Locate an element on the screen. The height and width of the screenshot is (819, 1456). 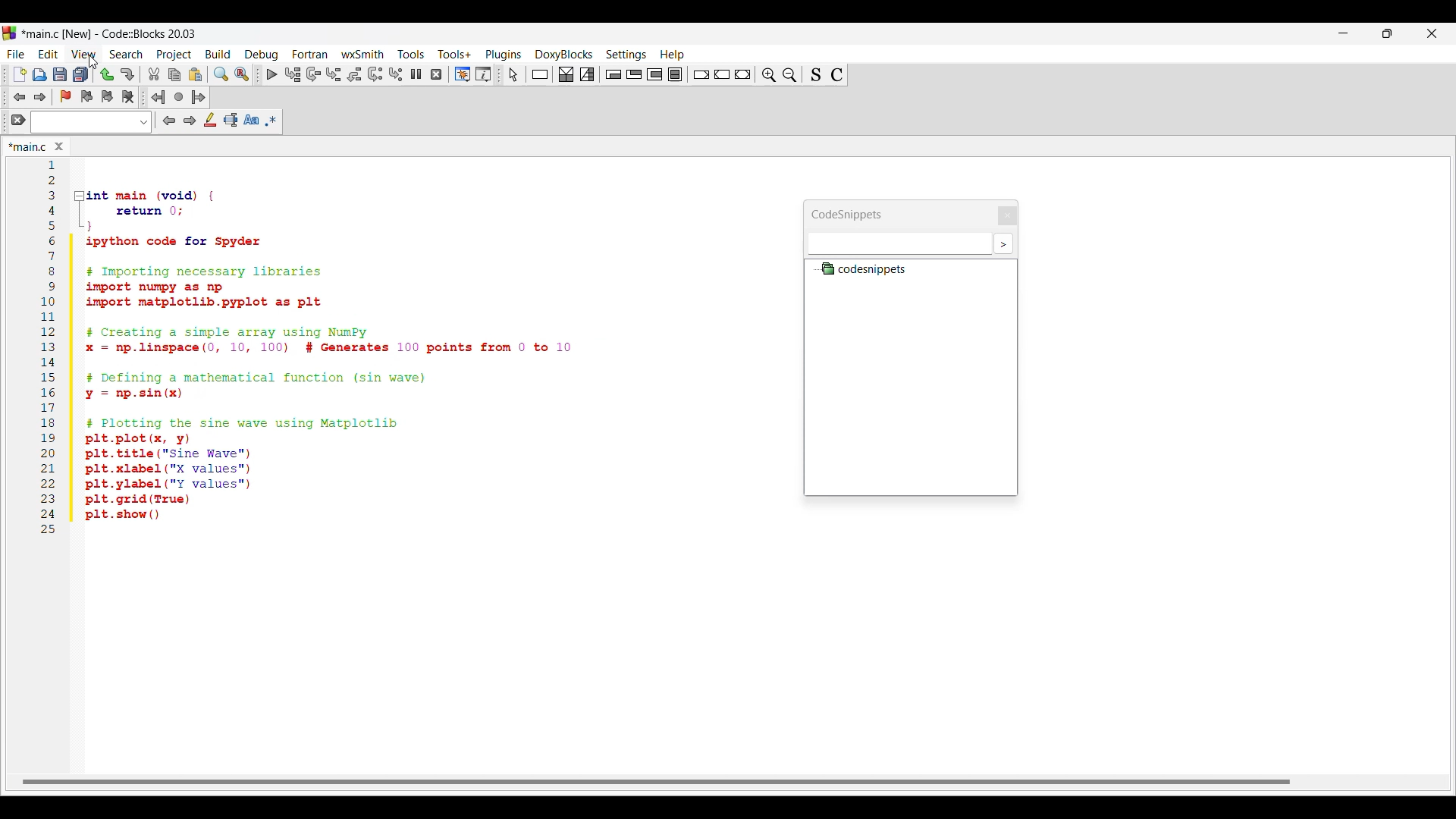
More settings is located at coordinates (1003, 243).